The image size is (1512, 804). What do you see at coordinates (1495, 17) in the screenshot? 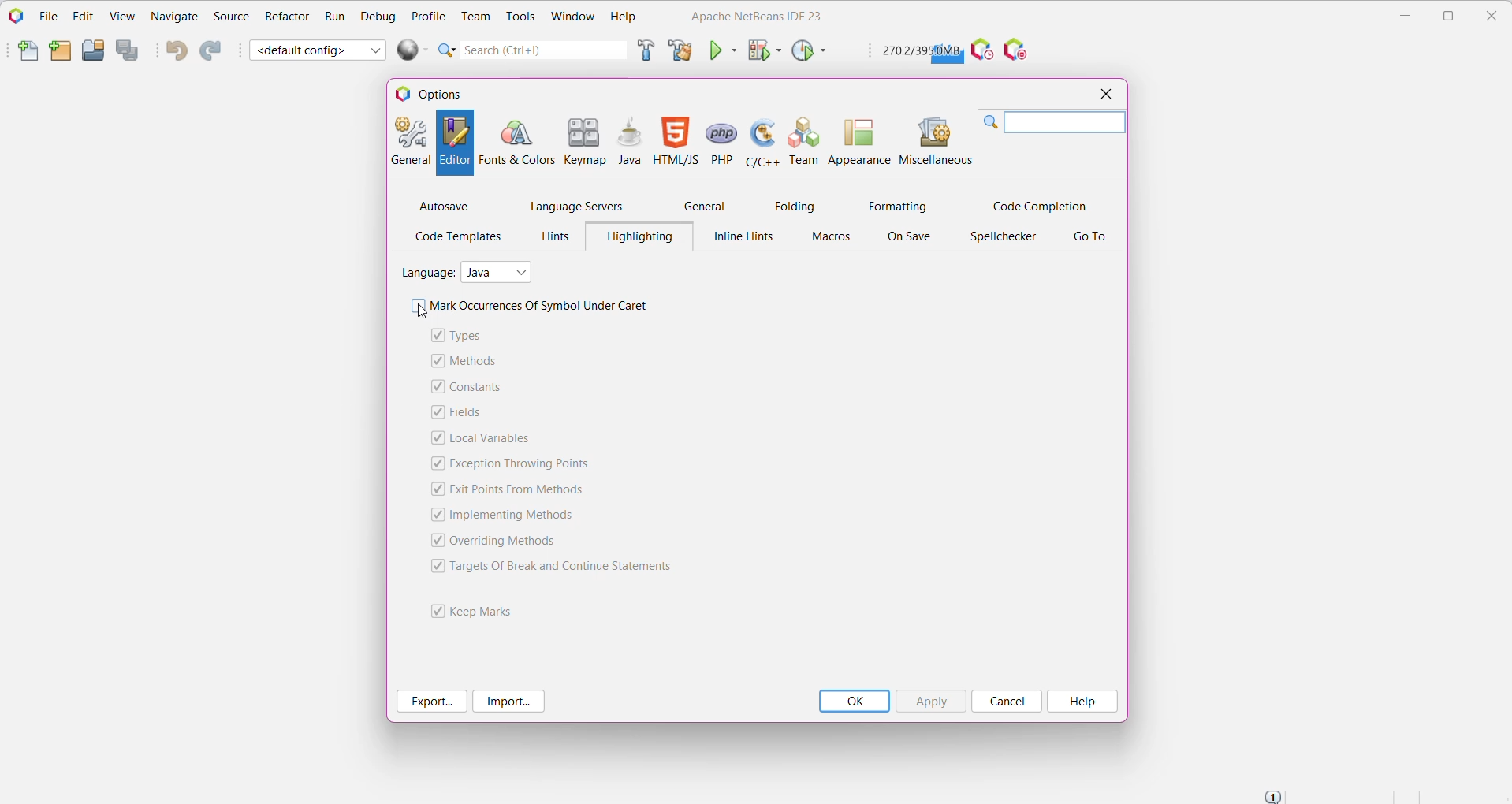
I see `Close` at bounding box center [1495, 17].